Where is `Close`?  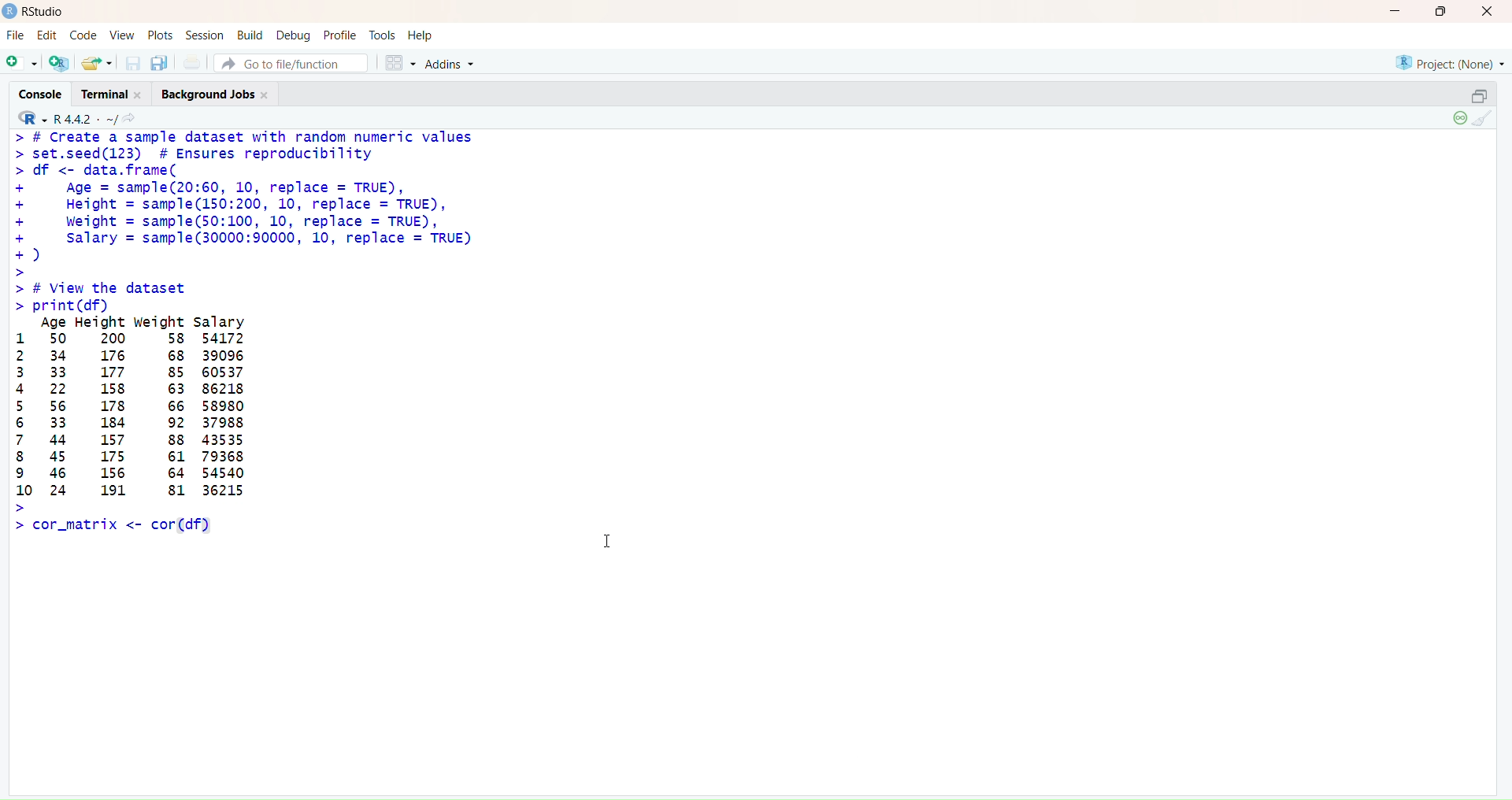
Close is located at coordinates (1485, 13).